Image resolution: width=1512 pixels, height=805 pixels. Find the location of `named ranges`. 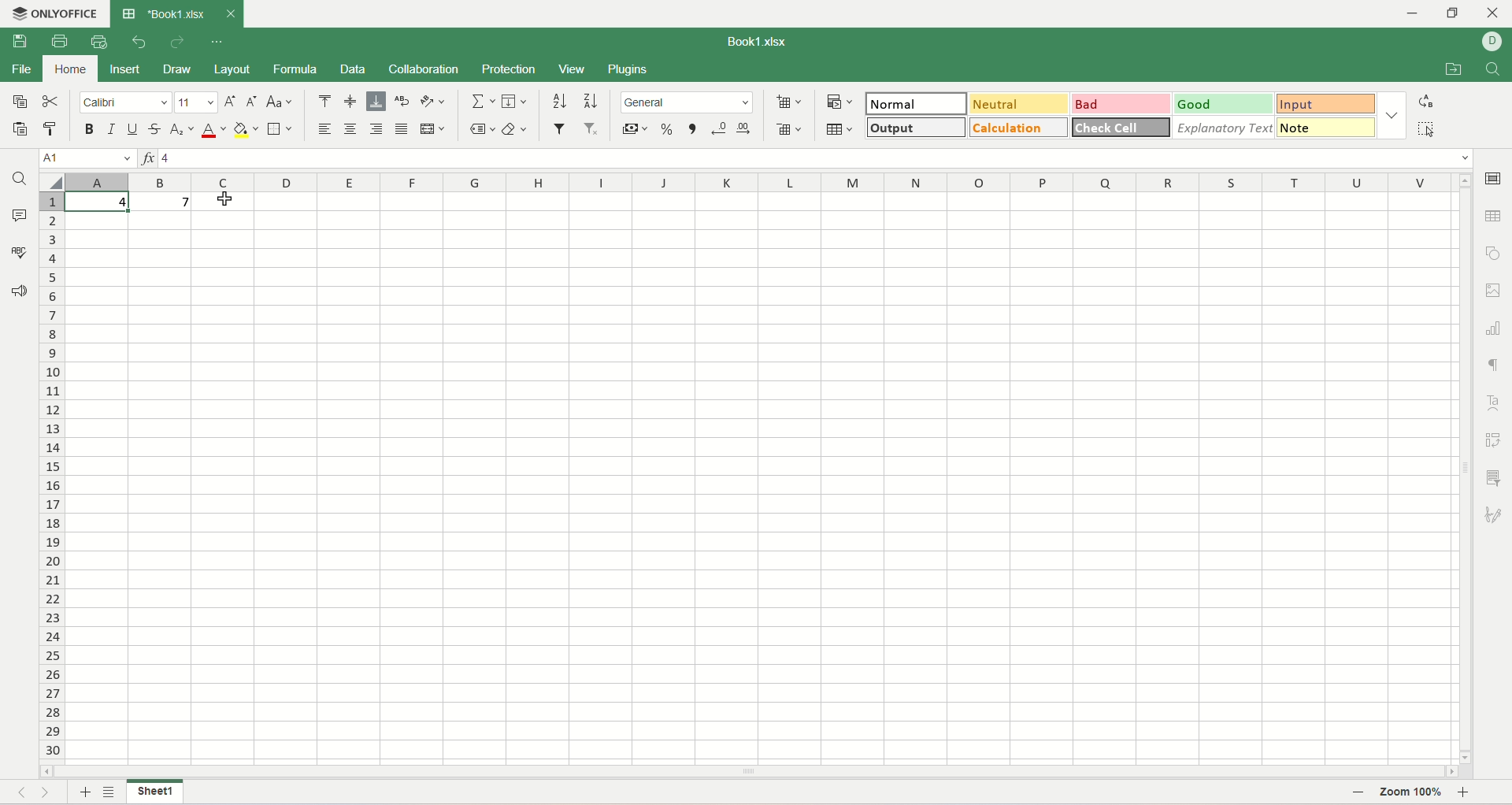

named ranges is located at coordinates (478, 131).